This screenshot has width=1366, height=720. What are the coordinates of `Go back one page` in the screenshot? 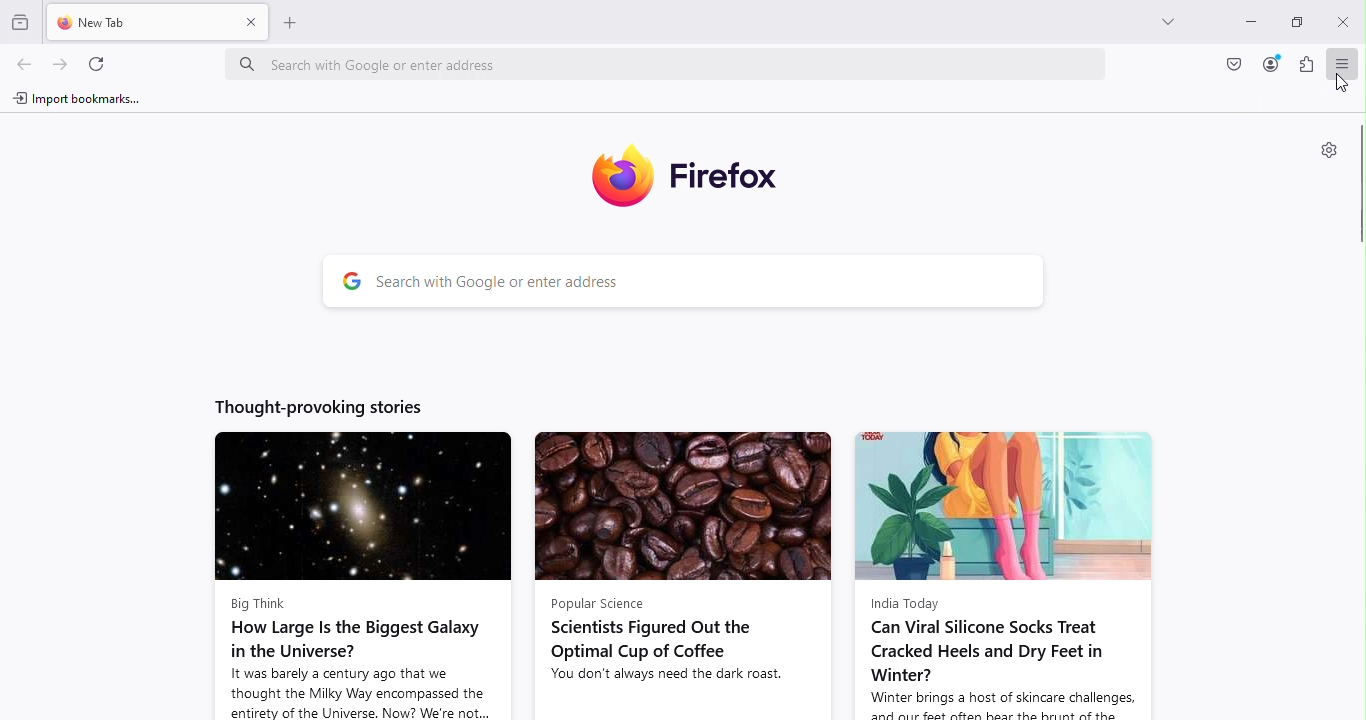 It's located at (24, 65).